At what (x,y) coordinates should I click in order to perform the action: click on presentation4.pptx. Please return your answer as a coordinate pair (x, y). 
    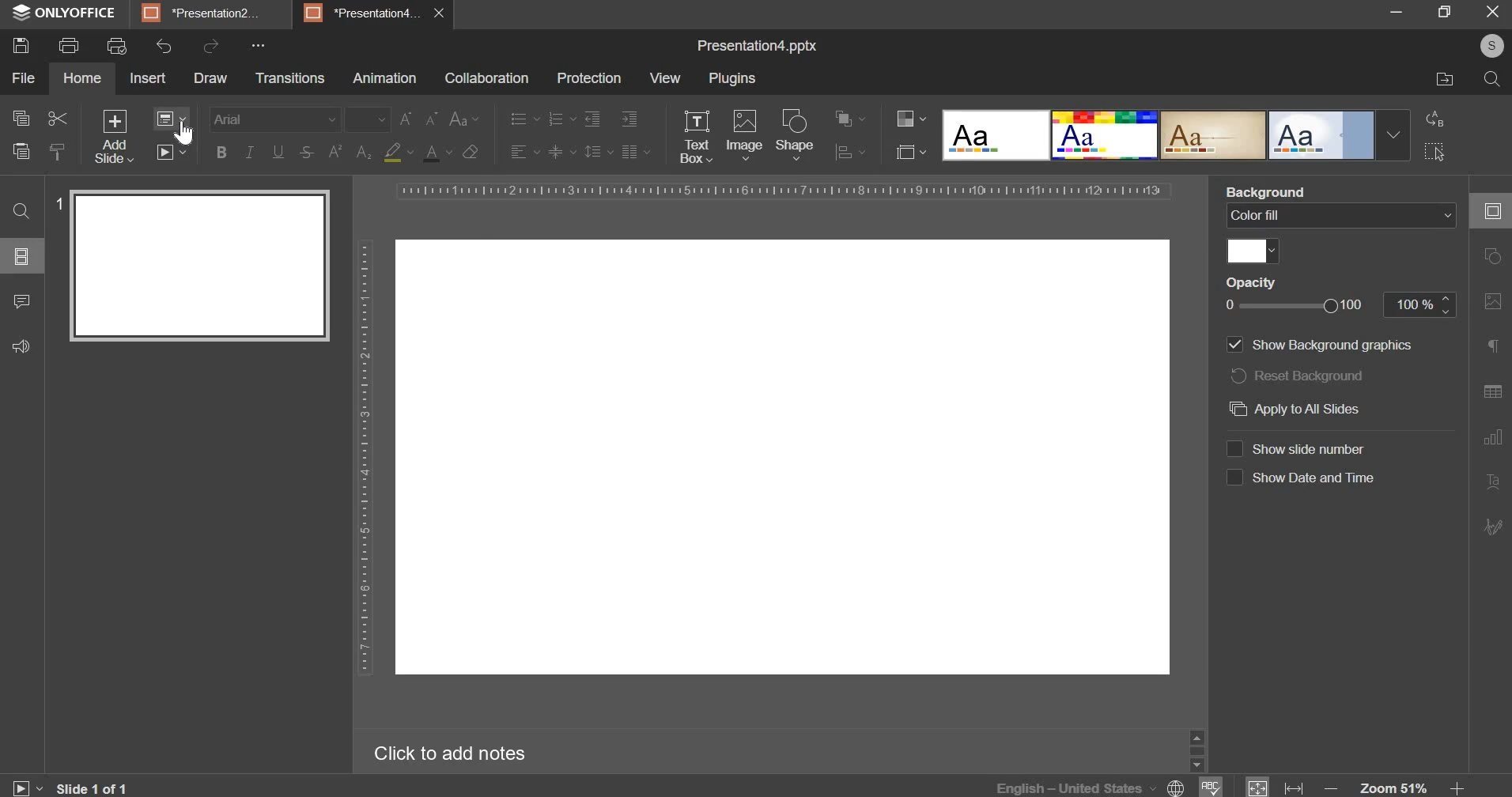
    Looking at the image, I should click on (754, 46).